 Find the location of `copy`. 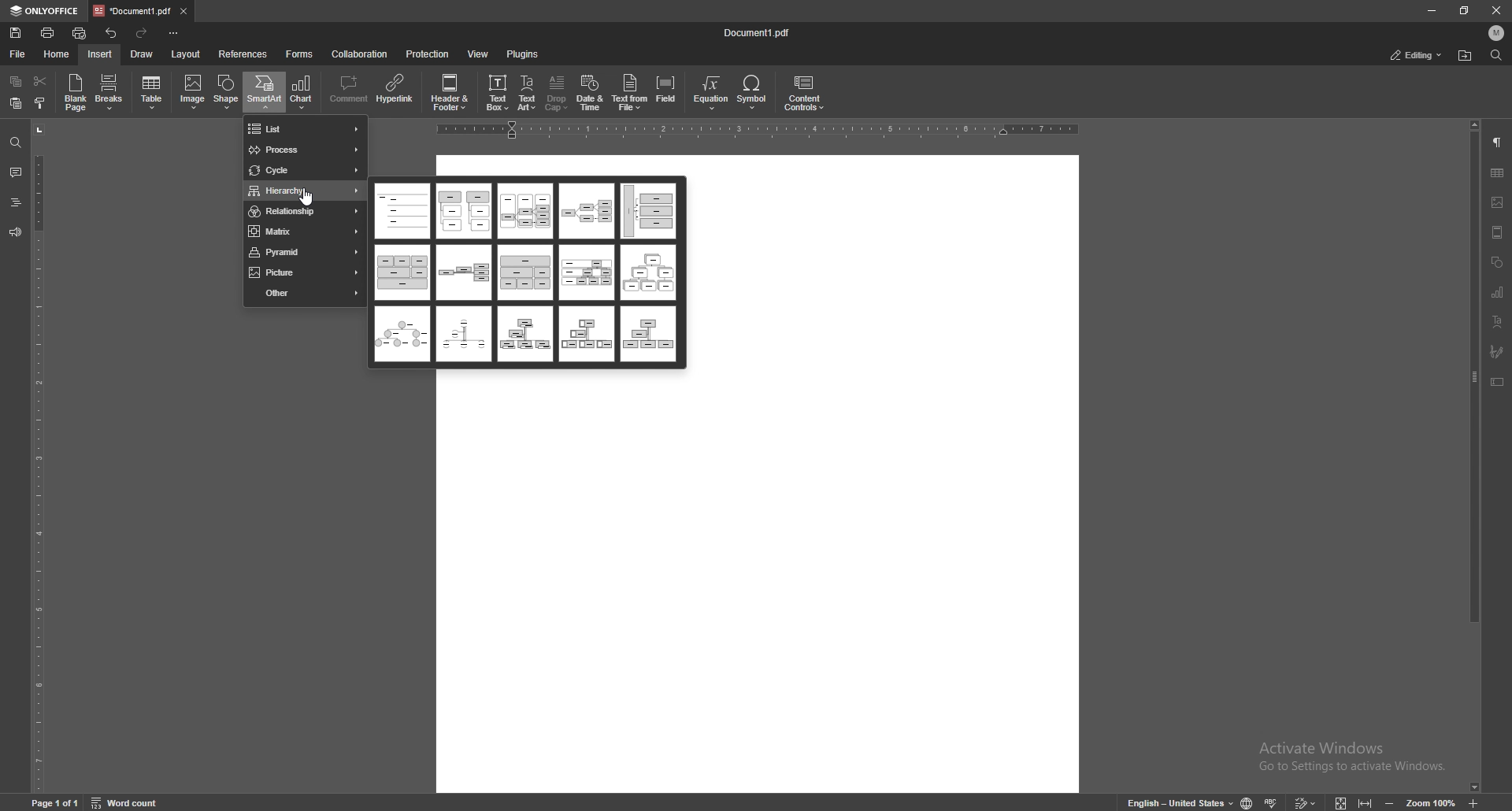

copy is located at coordinates (16, 81).